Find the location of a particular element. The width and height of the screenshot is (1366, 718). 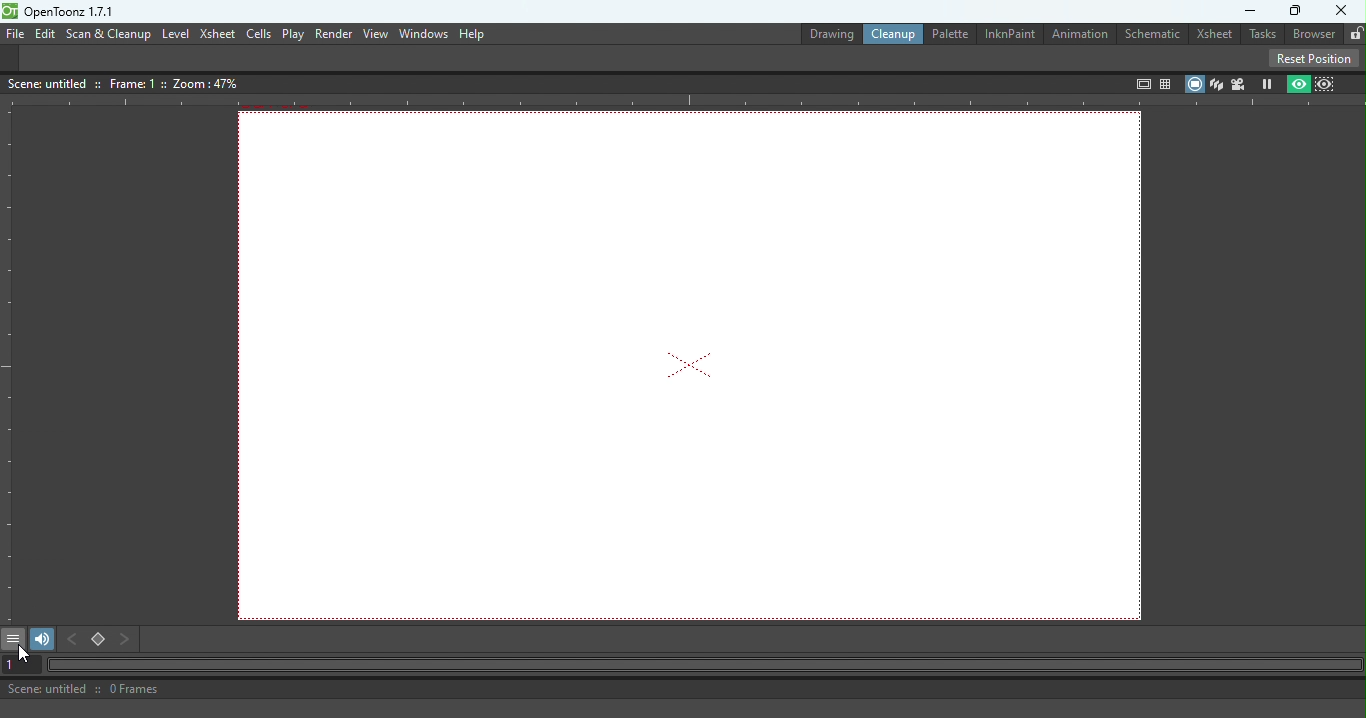

Tasks is located at coordinates (1261, 35).